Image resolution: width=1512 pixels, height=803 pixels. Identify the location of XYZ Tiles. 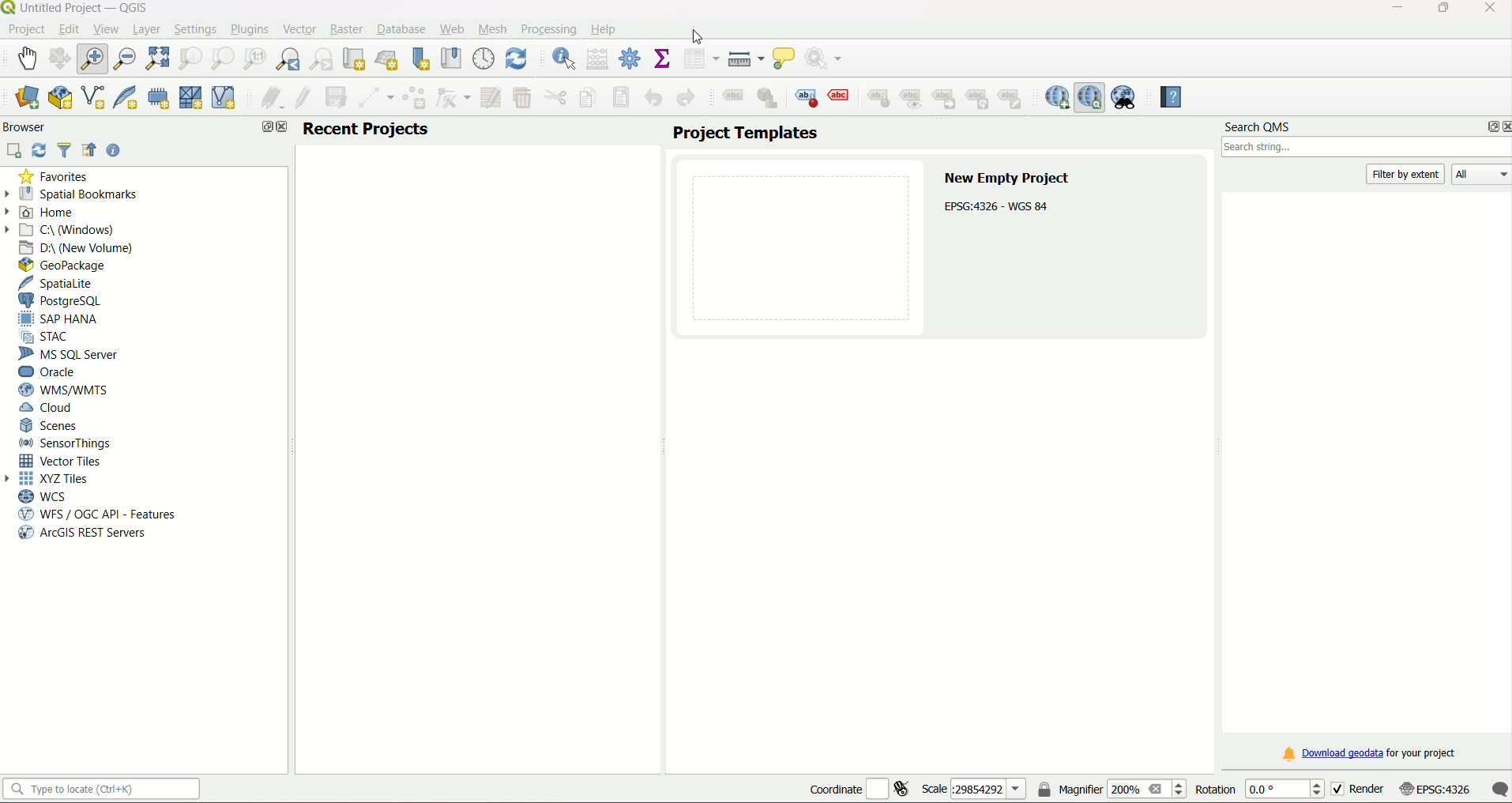
(58, 480).